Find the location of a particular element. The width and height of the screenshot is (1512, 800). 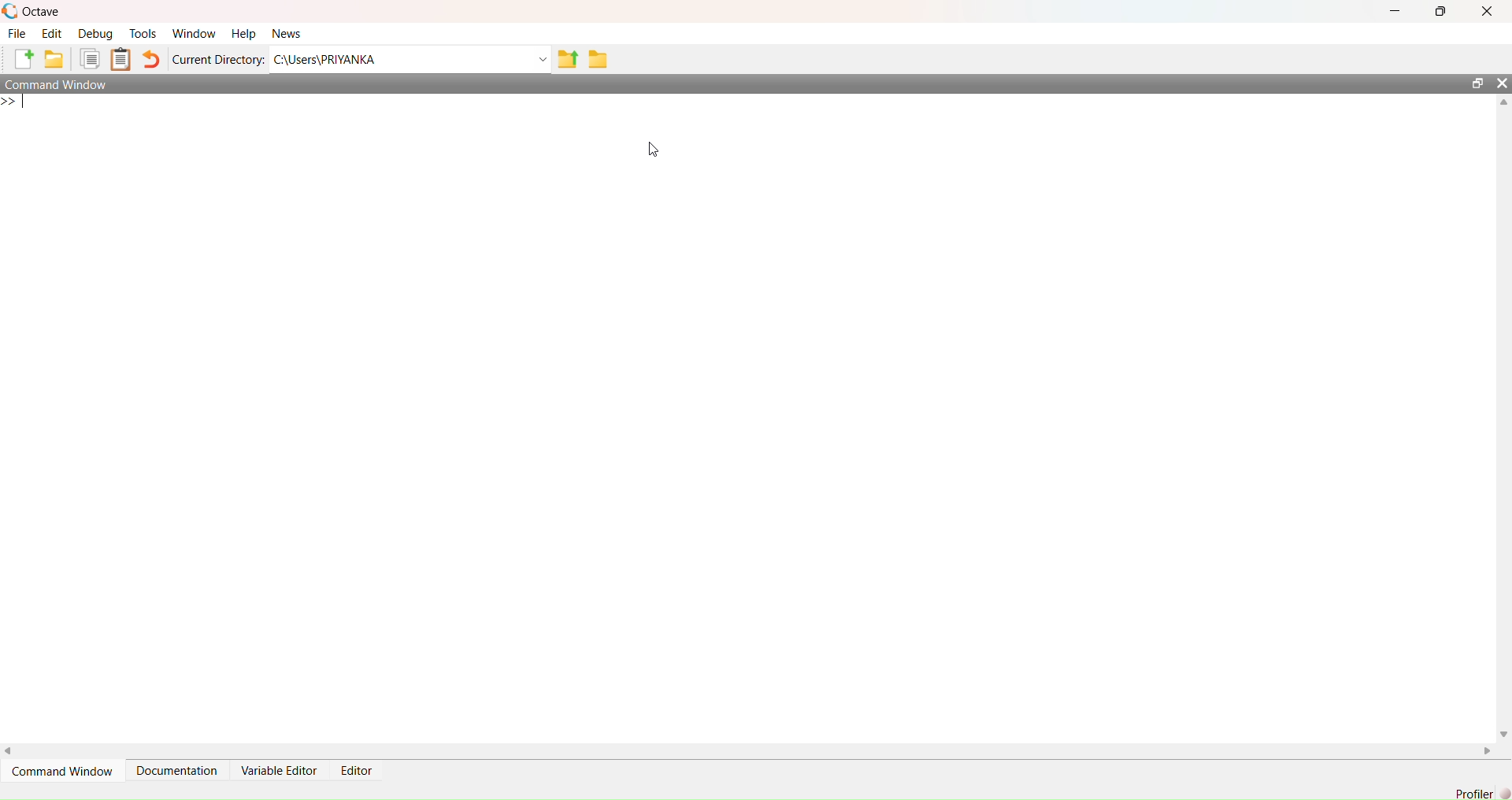

Paste is located at coordinates (120, 58).